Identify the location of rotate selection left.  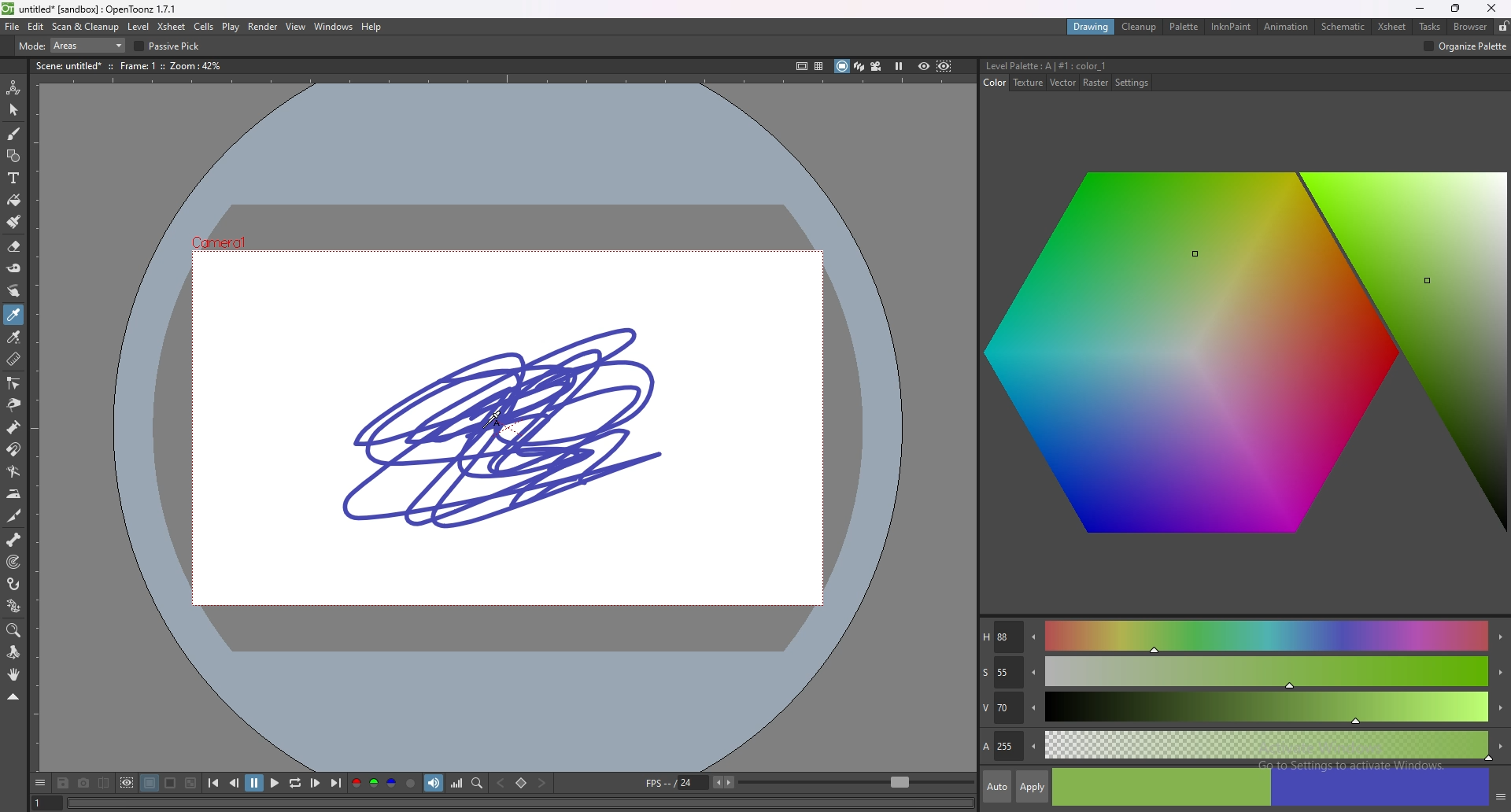
(855, 46).